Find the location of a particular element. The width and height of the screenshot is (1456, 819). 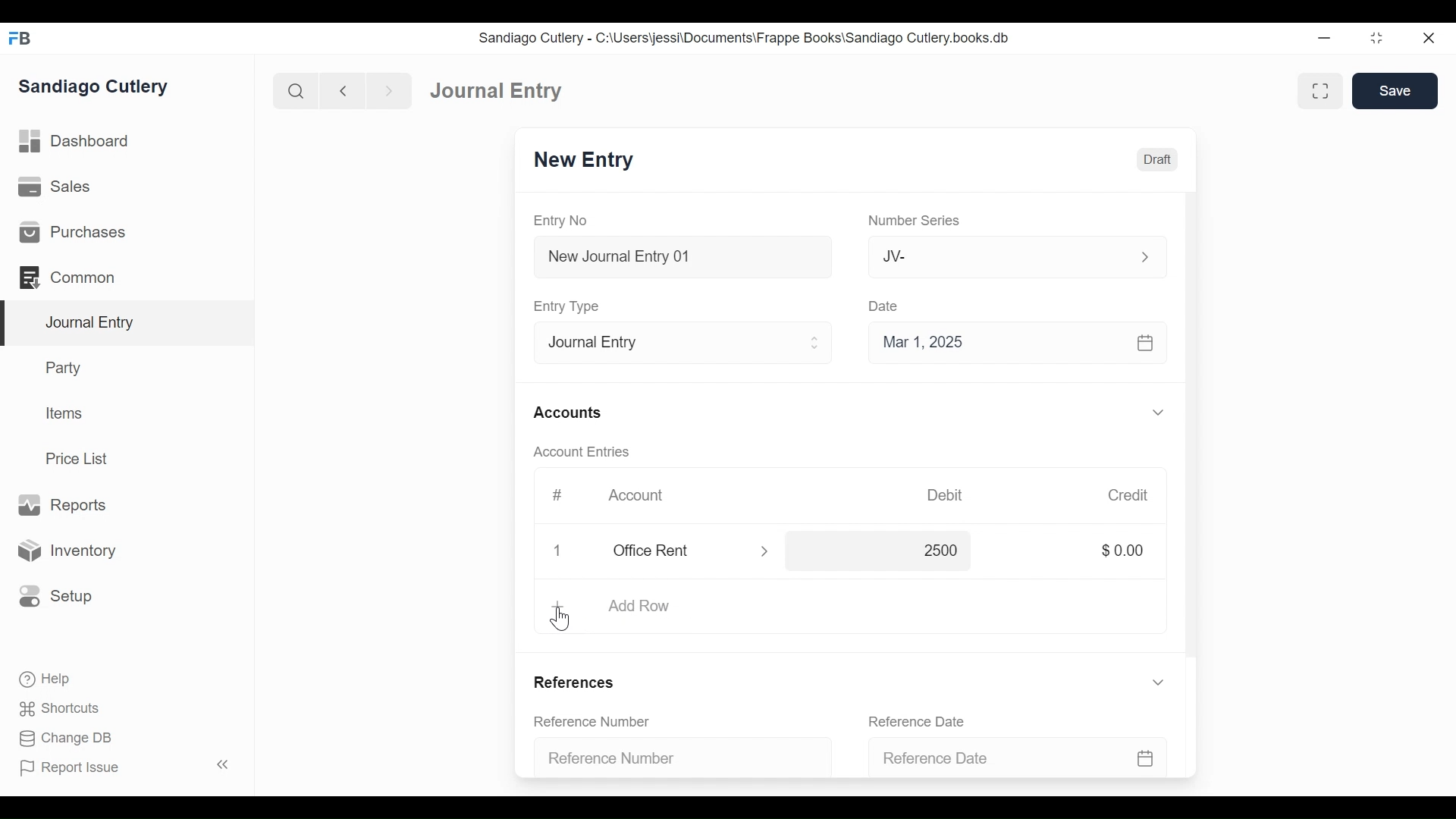

Reference Date is located at coordinates (1031, 758).